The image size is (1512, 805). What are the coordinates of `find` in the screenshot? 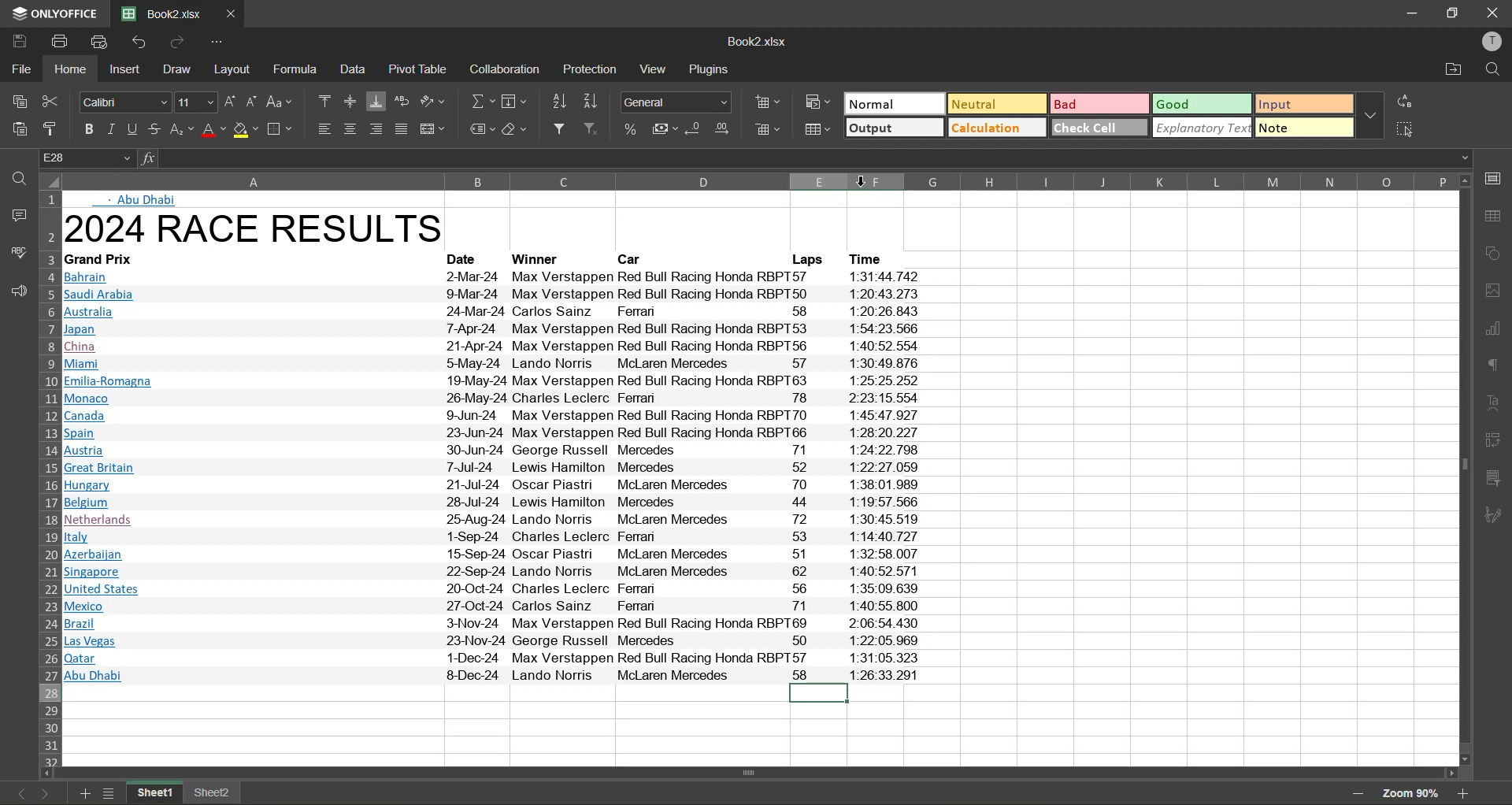 It's located at (13, 180).